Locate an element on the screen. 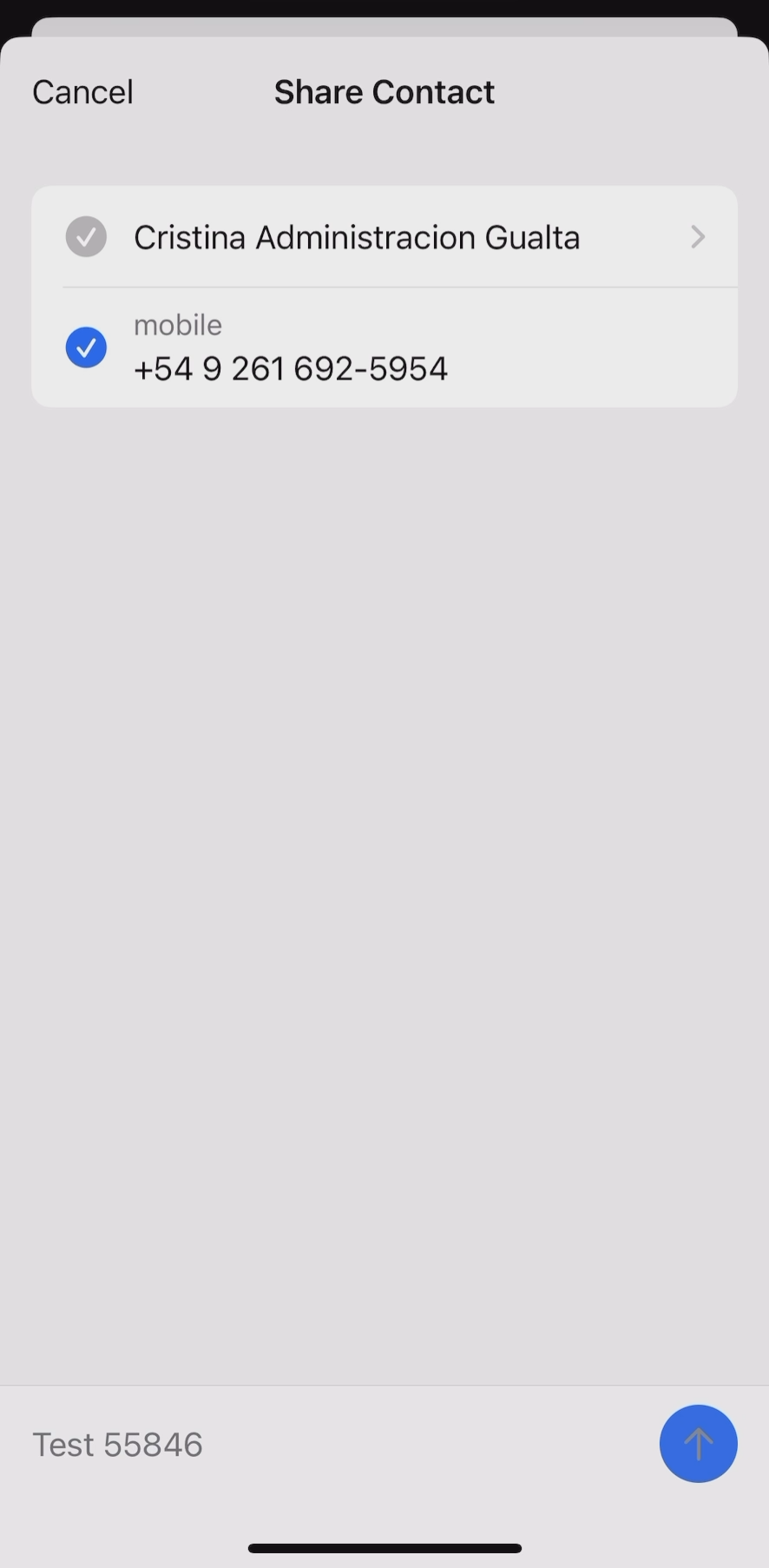 The width and height of the screenshot is (769, 1568). contact card is located at coordinates (384, 291).